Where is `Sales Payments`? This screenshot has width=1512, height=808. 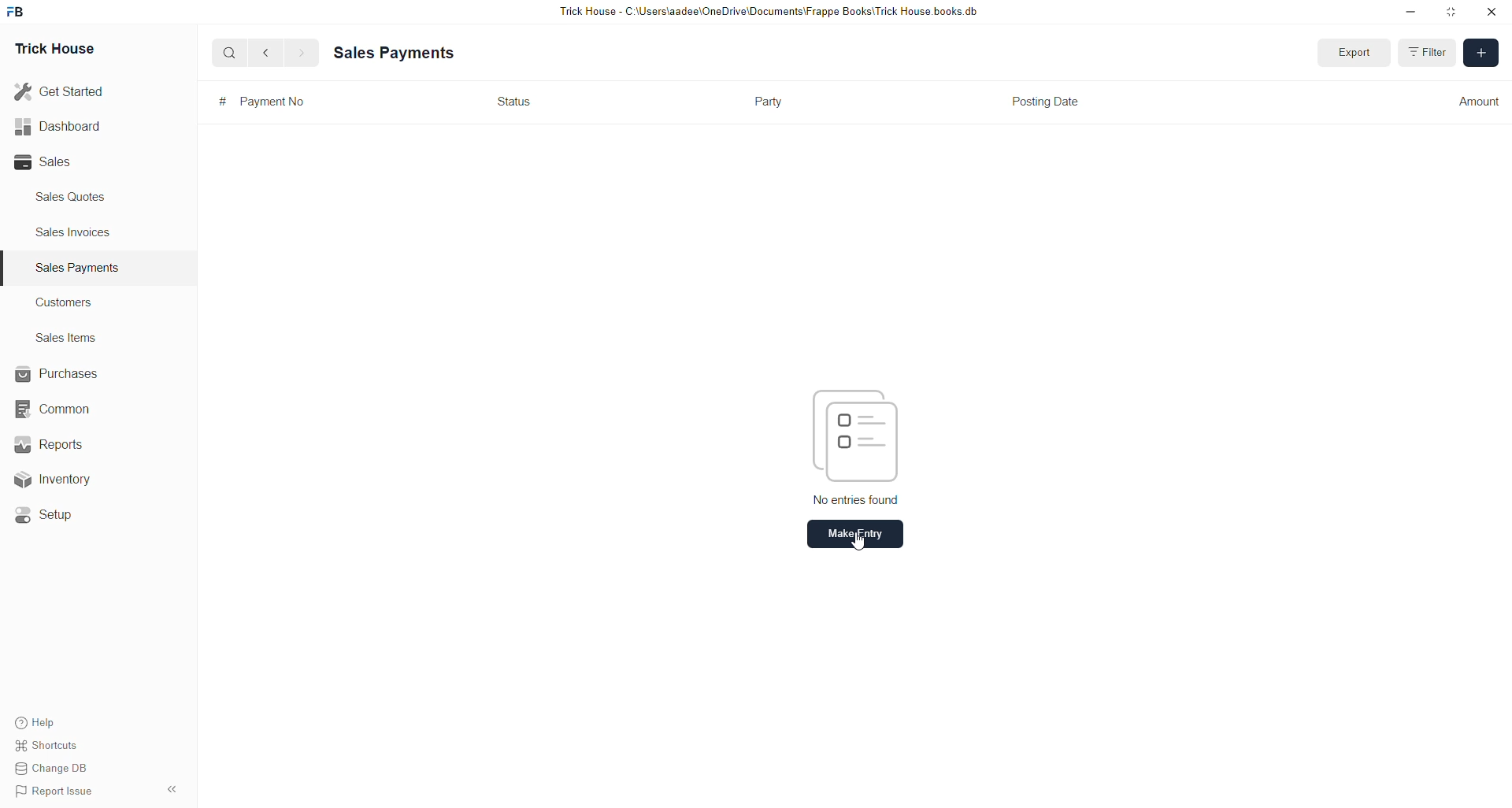
Sales Payments is located at coordinates (80, 268).